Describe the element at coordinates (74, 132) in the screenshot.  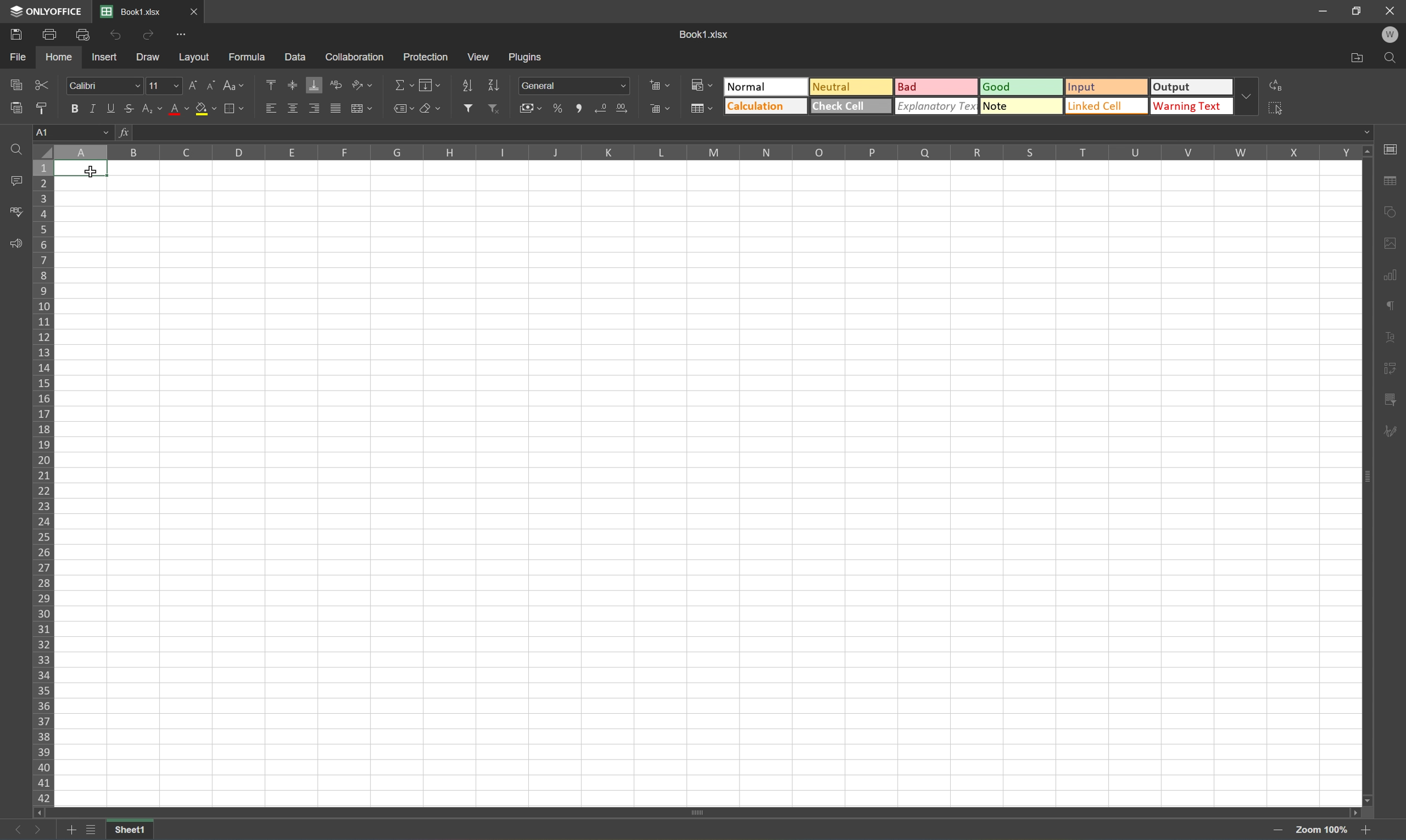
I see `A1` at that location.